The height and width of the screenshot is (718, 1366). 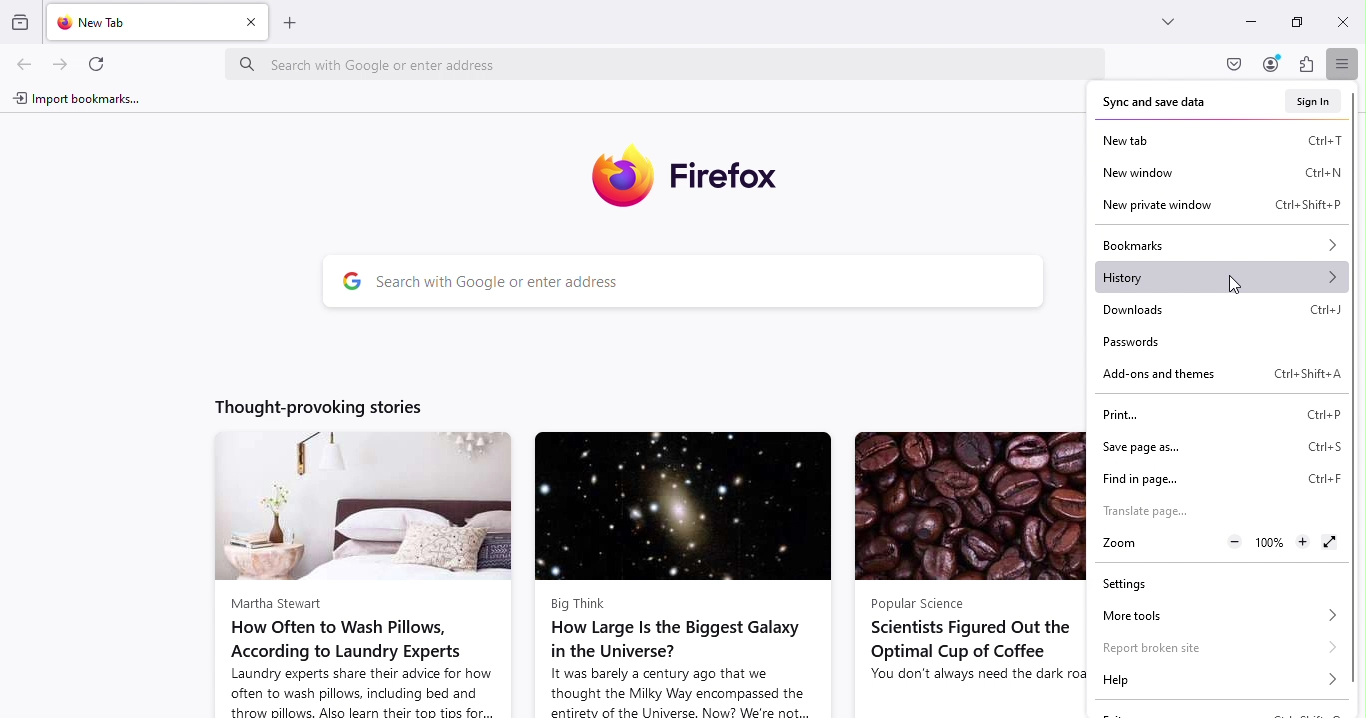 What do you see at coordinates (1214, 205) in the screenshot?
I see `New private window` at bounding box center [1214, 205].